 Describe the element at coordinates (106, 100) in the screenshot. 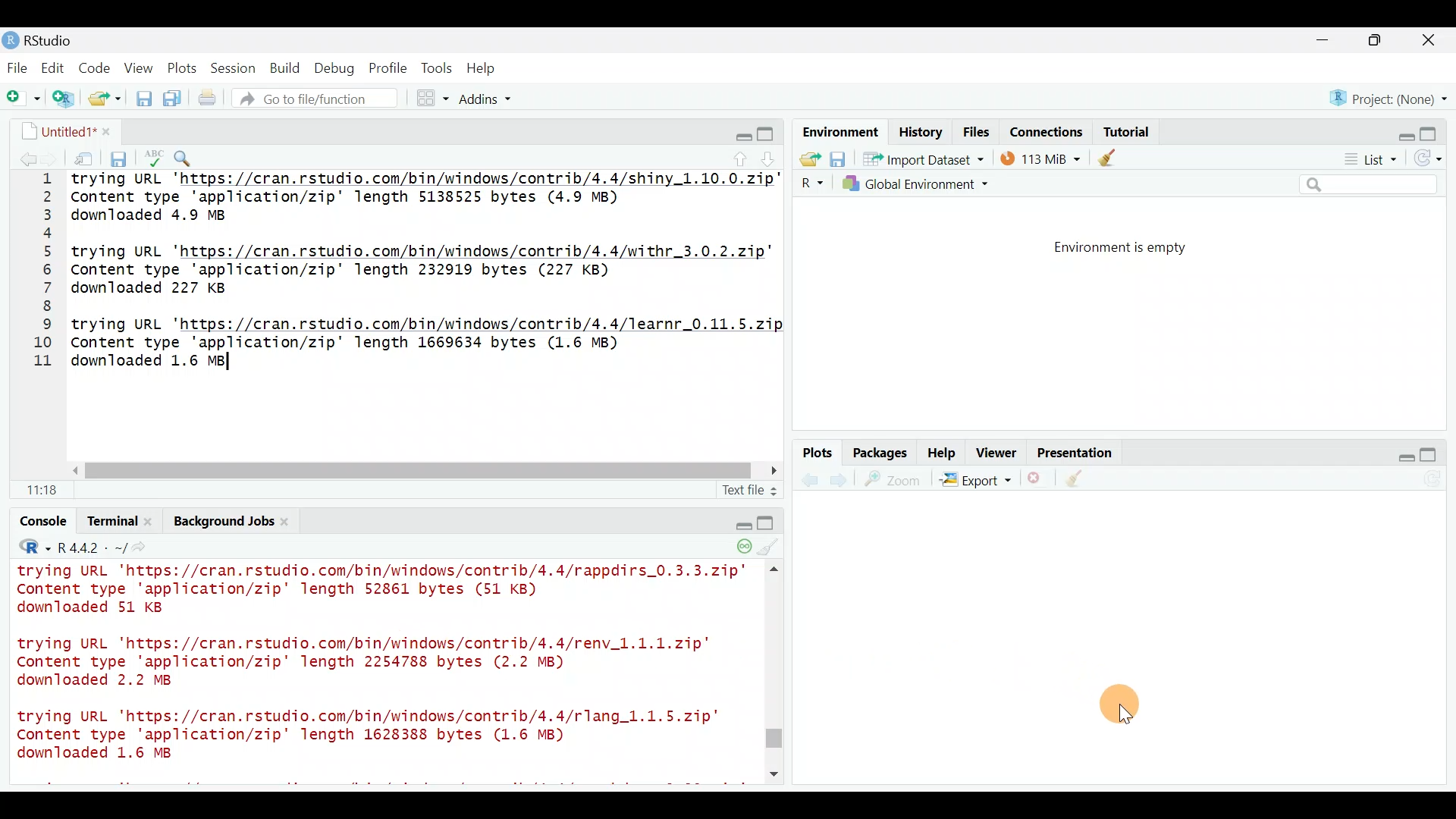

I see `Open an existing file` at that location.